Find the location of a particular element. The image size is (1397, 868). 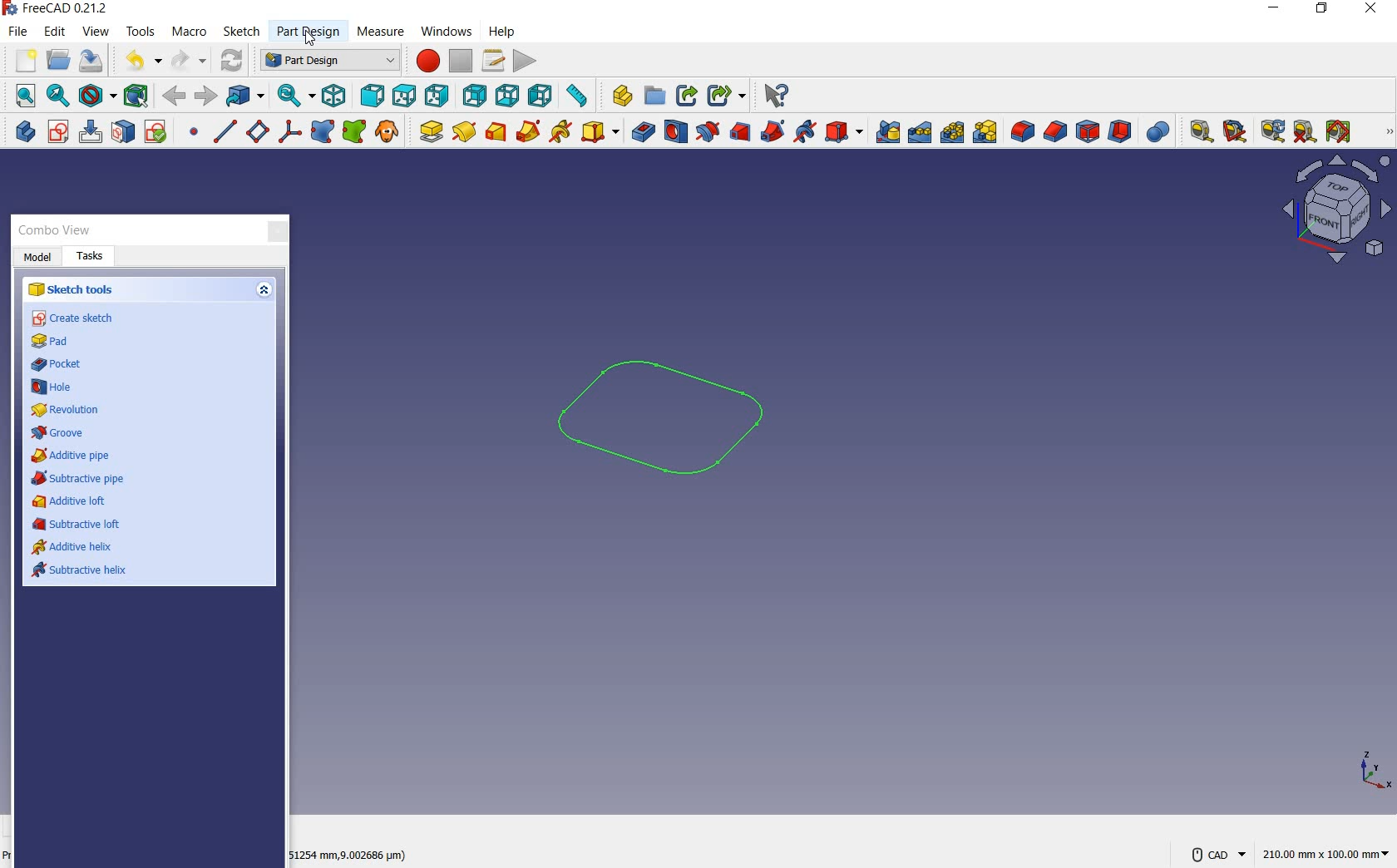

create body is located at coordinates (21, 133).